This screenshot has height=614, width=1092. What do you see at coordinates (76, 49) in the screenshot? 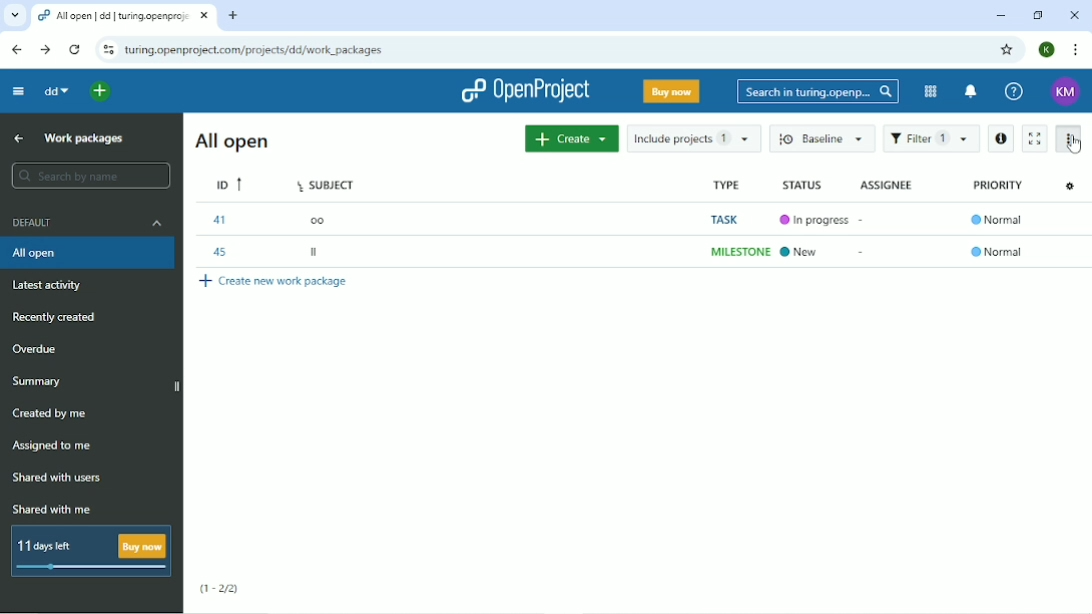
I see `Reload this page` at bounding box center [76, 49].